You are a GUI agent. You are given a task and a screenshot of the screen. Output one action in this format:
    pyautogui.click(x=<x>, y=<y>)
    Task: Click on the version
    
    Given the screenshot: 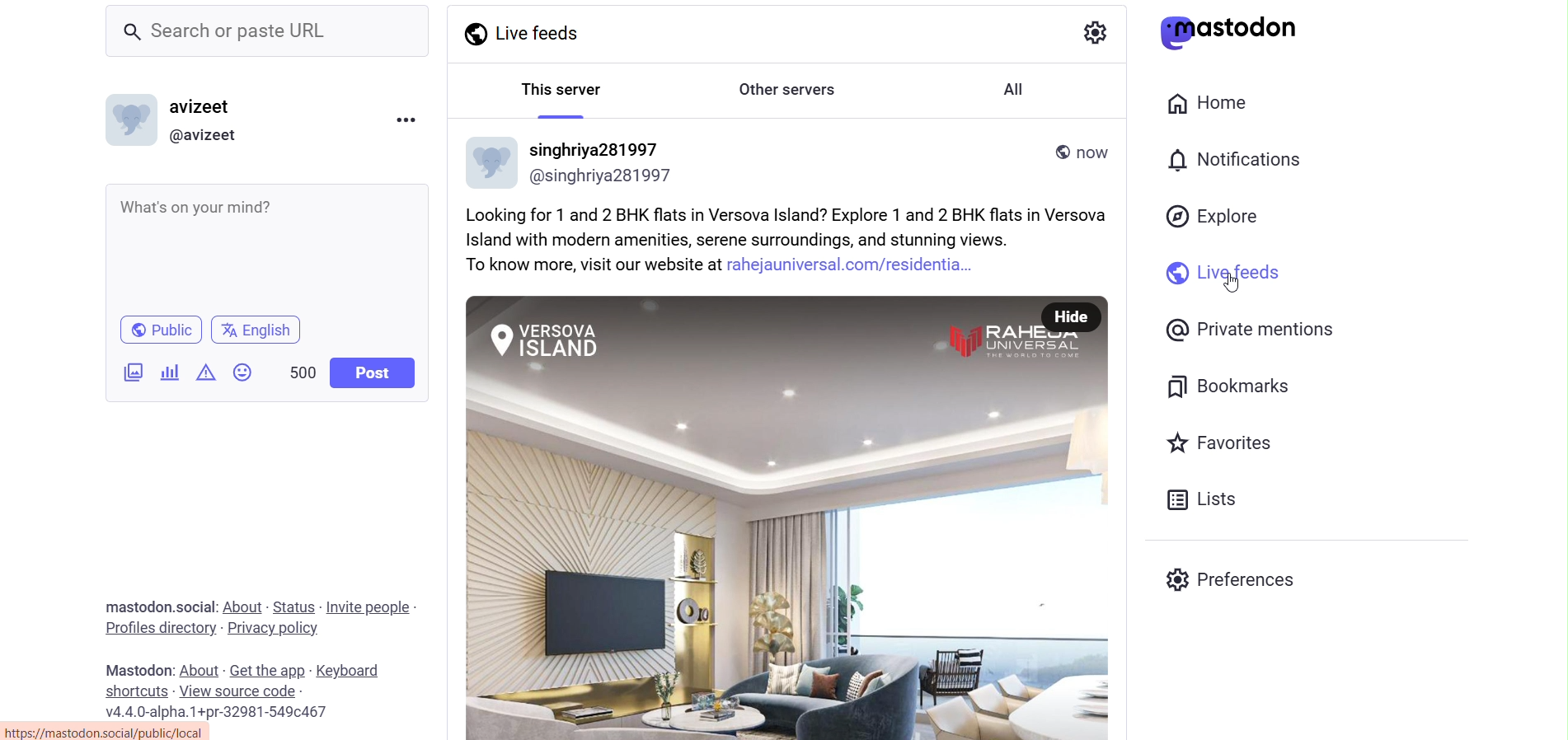 What is the action you would take?
    pyautogui.click(x=216, y=712)
    